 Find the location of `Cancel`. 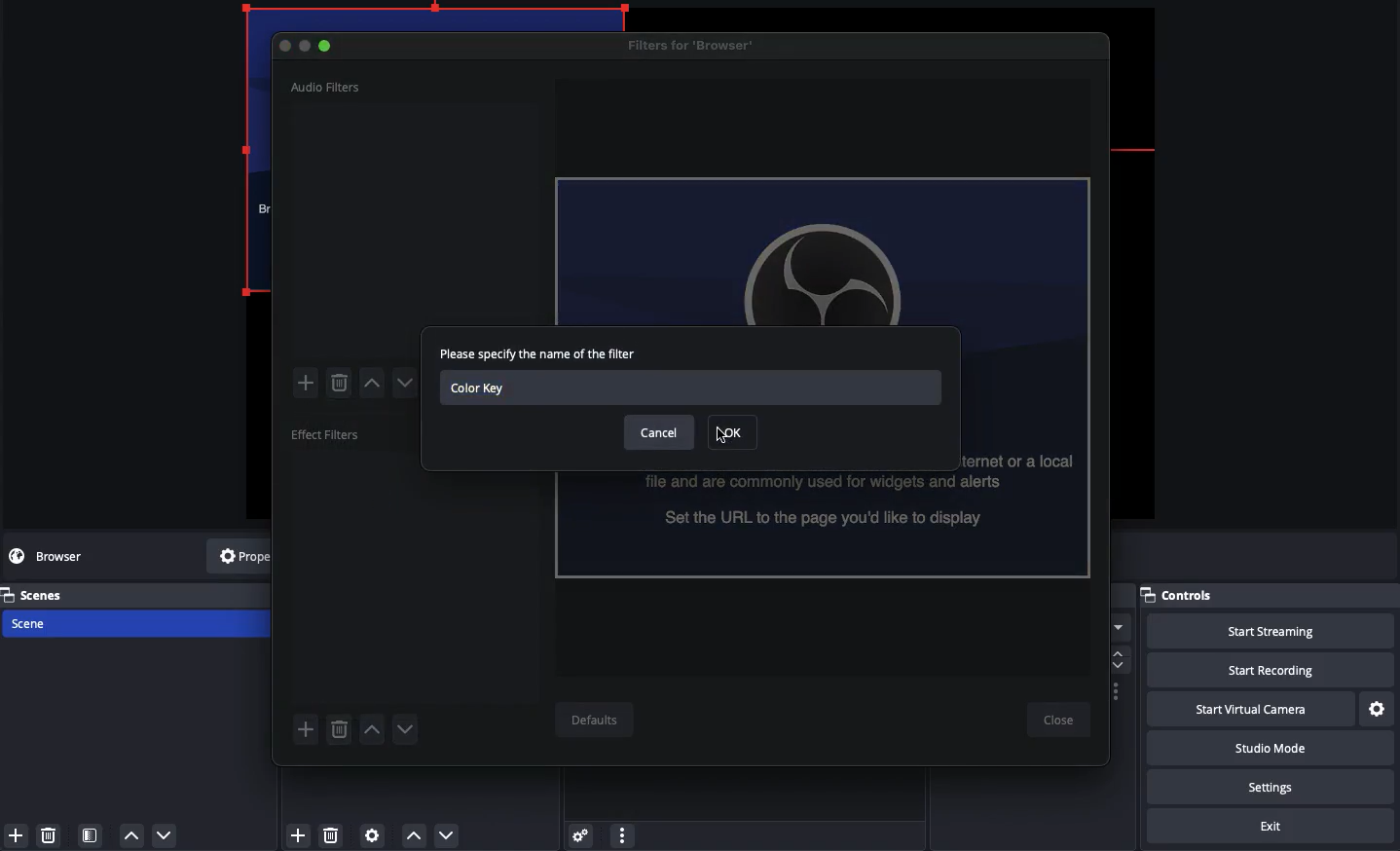

Cancel is located at coordinates (660, 431).